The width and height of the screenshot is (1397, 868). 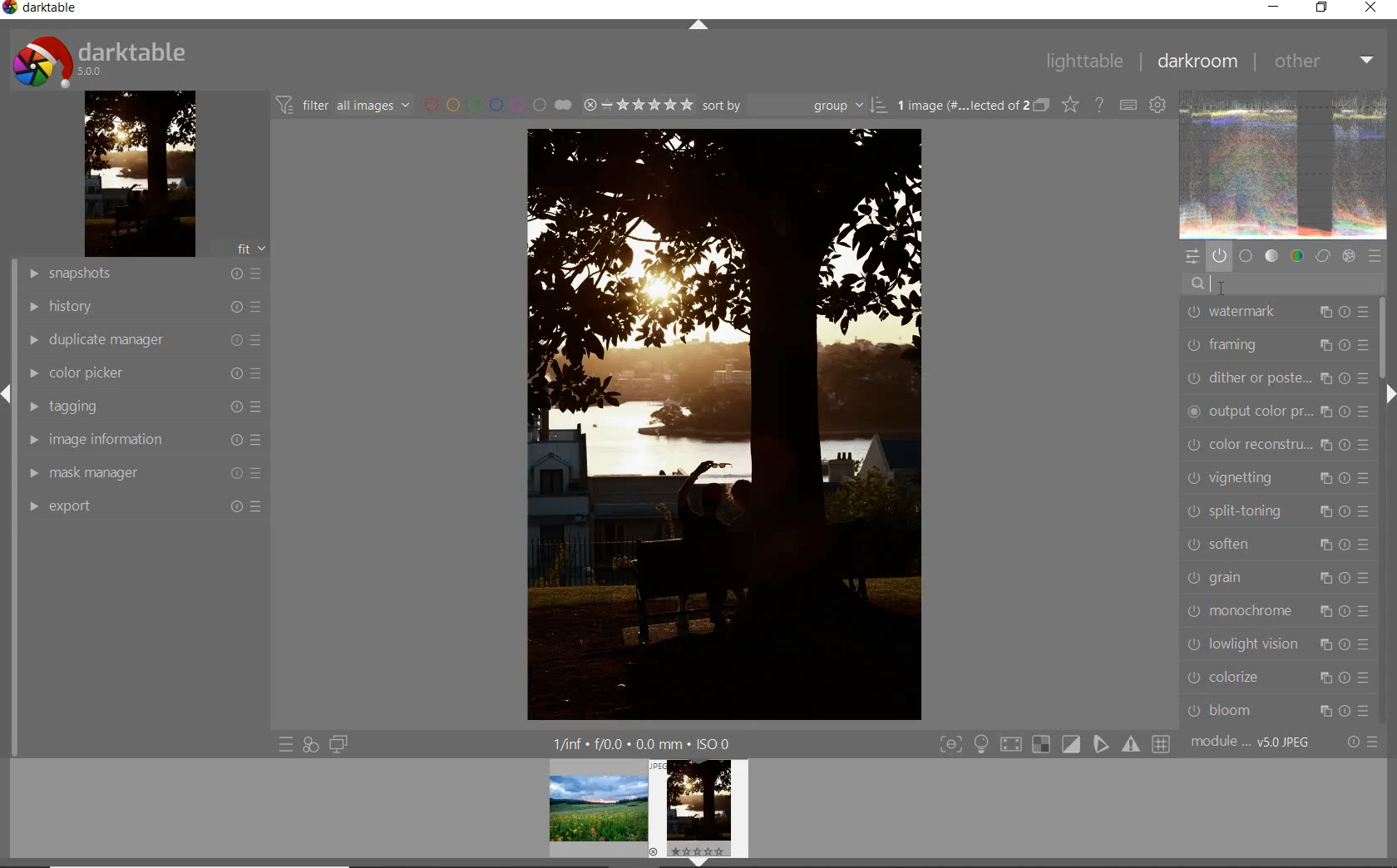 What do you see at coordinates (1286, 162) in the screenshot?
I see `image` at bounding box center [1286, 162].